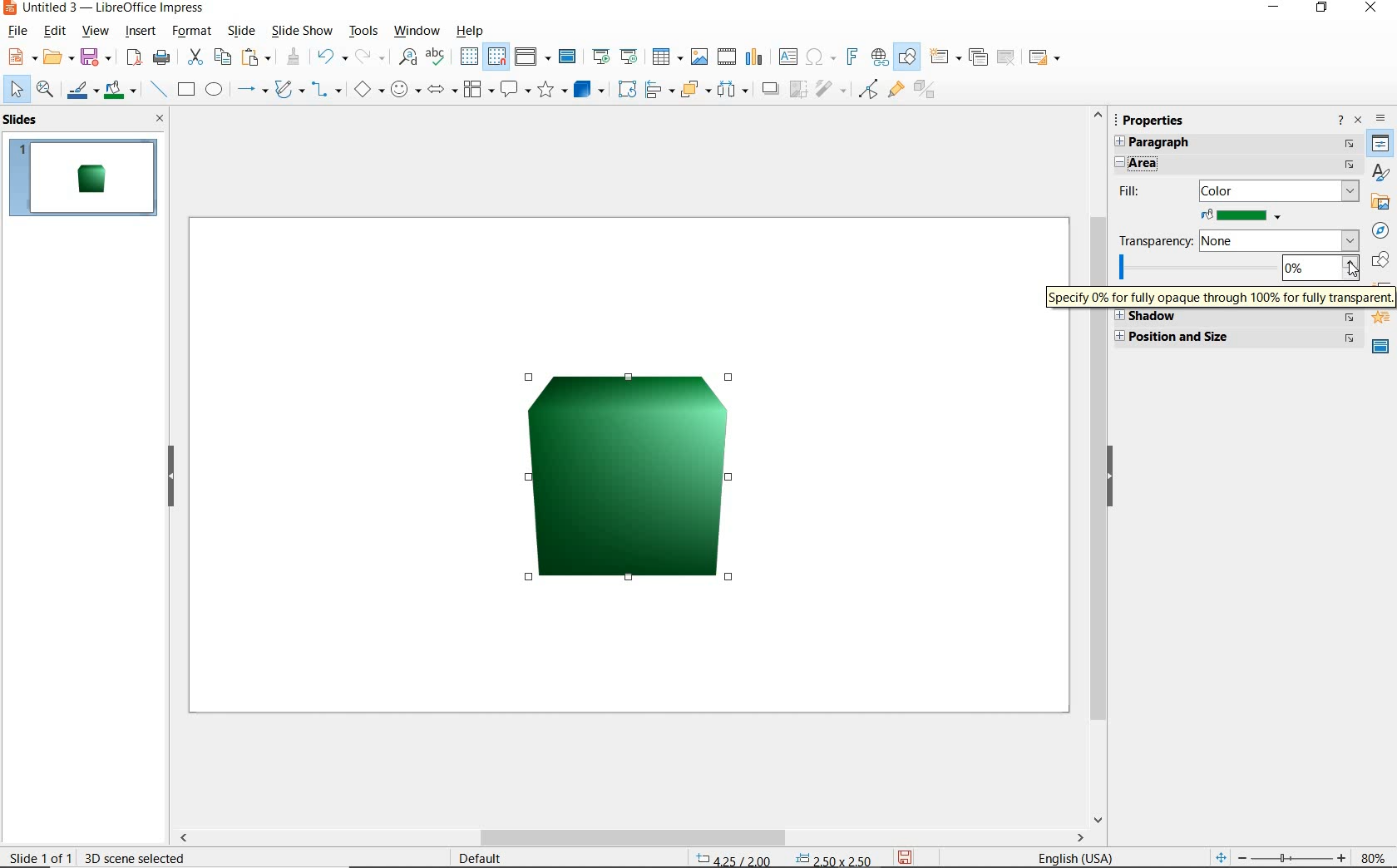  I want to click on callout shapes, so click(516, 90).